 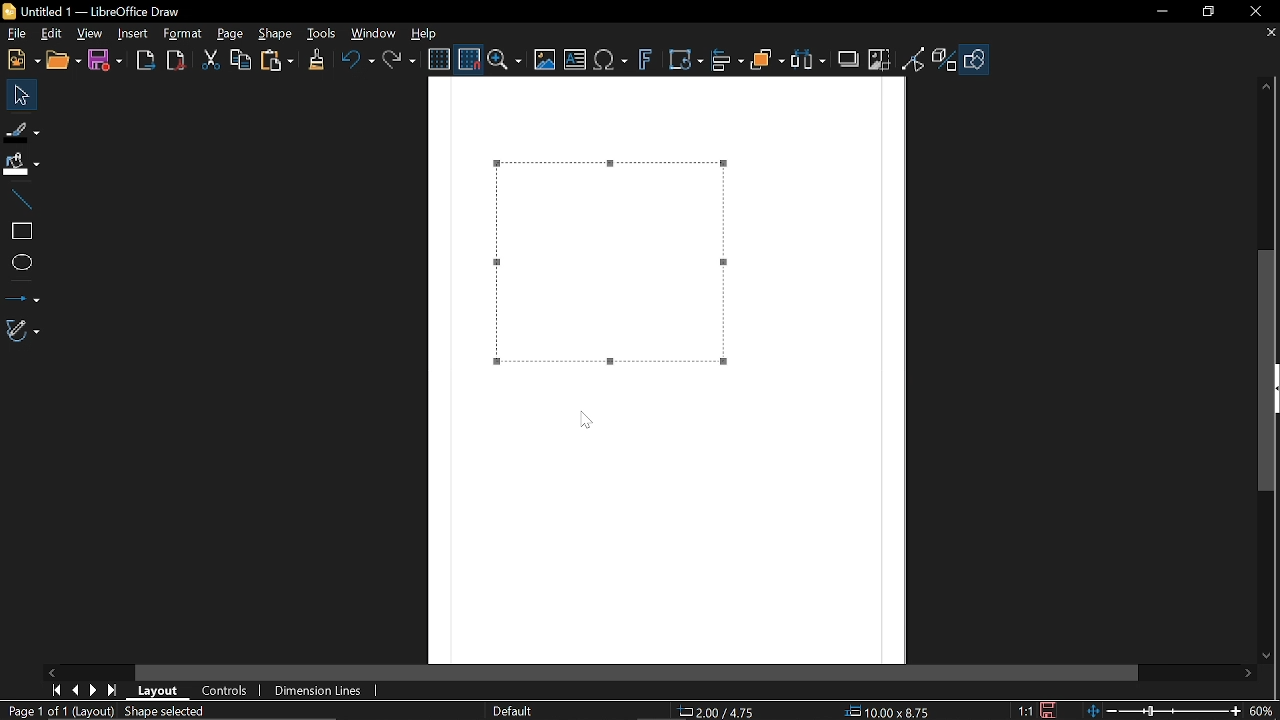 I want to click on insert text, so click(x=575, y=61).